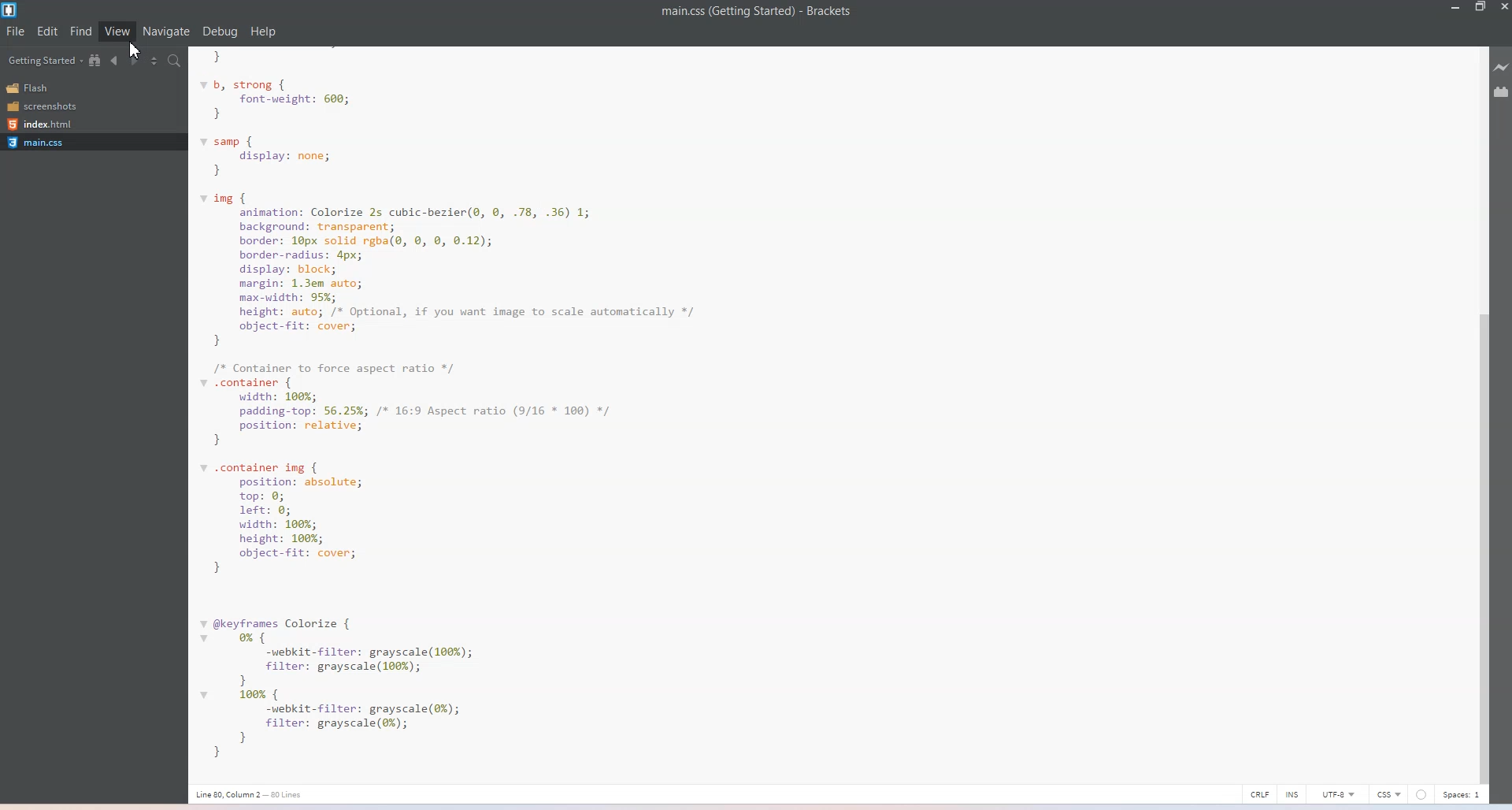  What do you see at coordinates (81, 31) in the screenshot?
I see `Find` at bounding box center [81, 31].